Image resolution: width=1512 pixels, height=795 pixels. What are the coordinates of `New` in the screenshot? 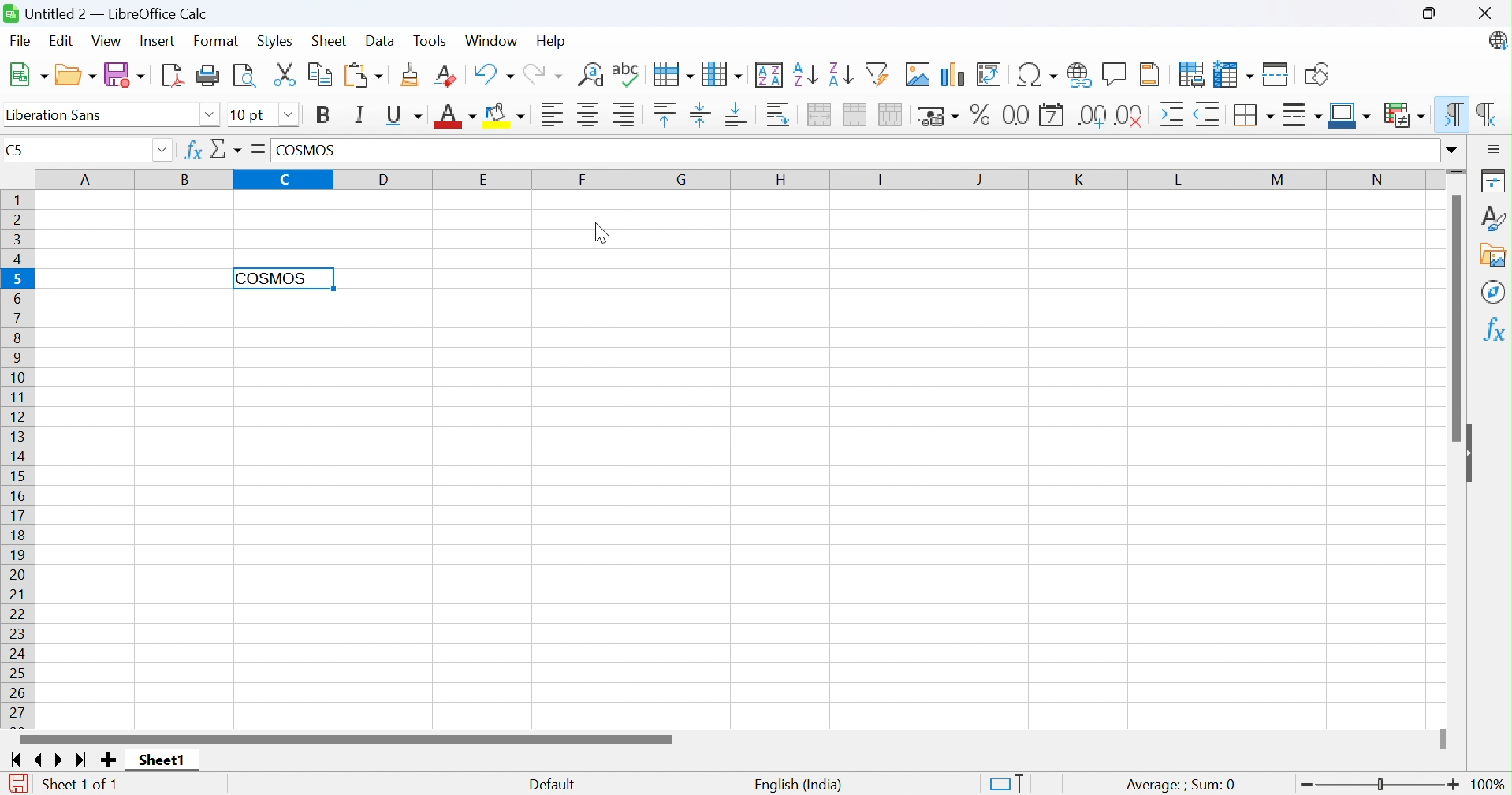 It's located at (79, 76).